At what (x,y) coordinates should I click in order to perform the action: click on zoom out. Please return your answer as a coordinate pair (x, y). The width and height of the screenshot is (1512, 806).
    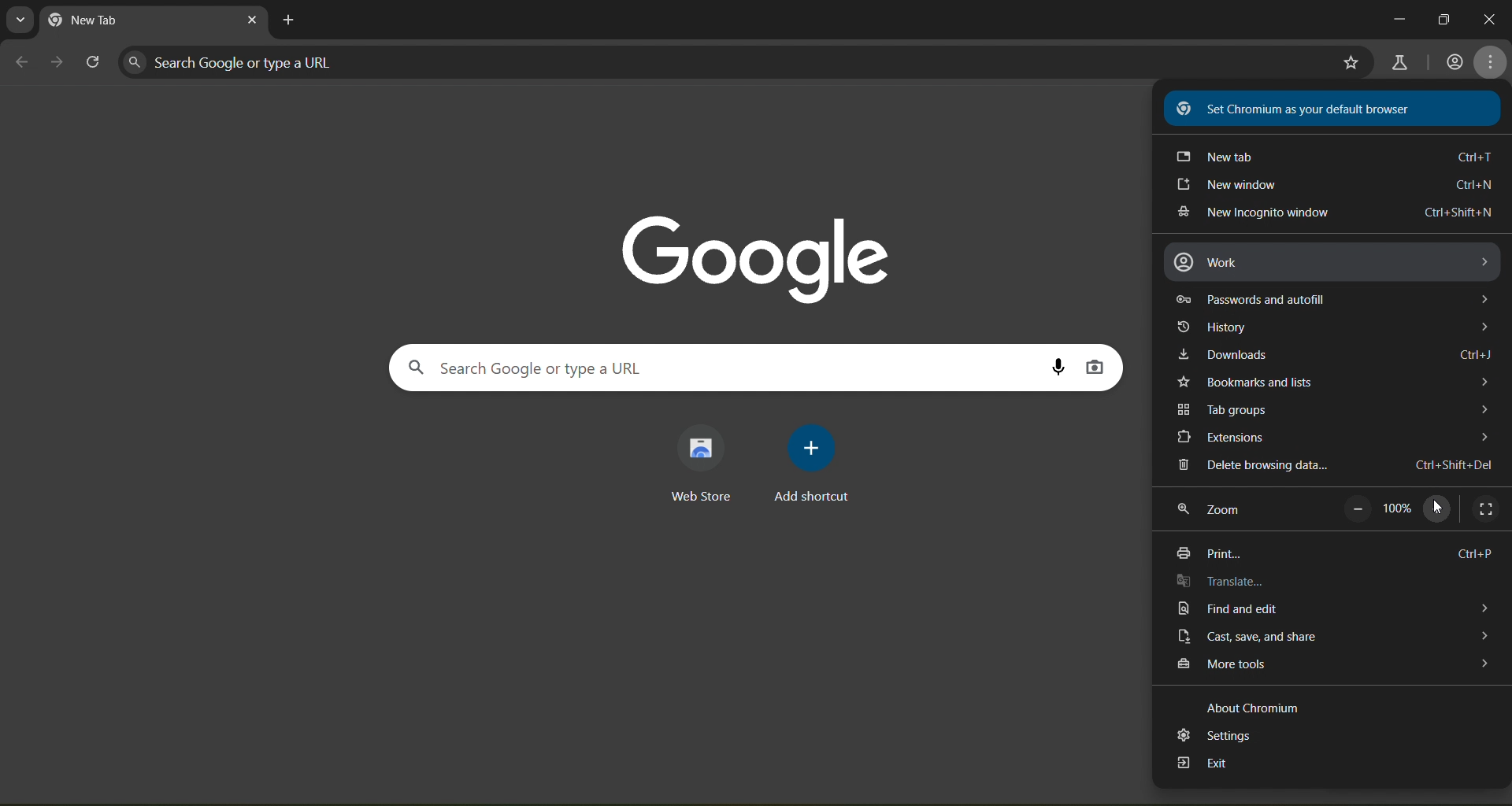
    Looking at the image, I should click on (1355, 509).